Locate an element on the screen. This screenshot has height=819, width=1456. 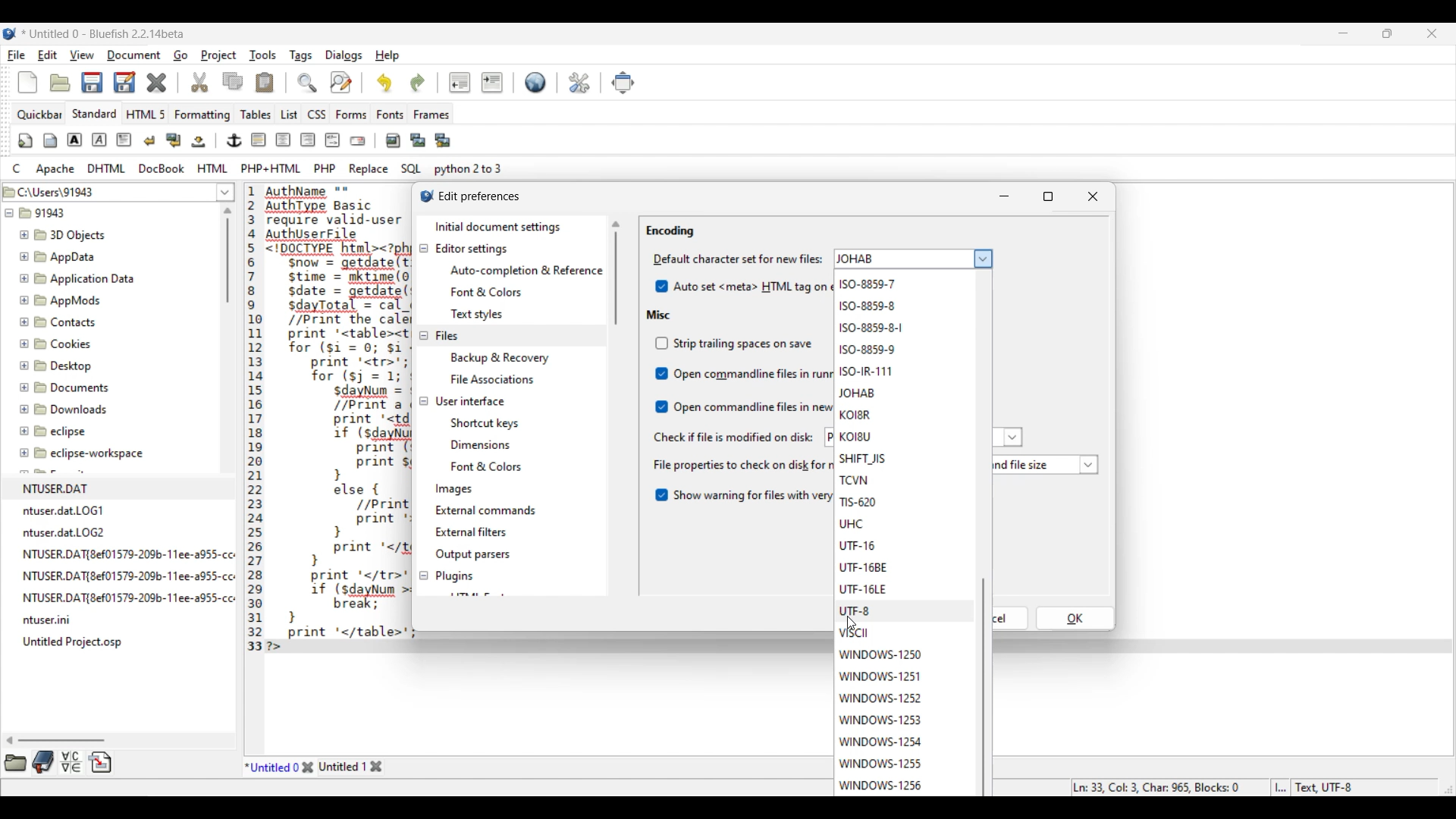
Files setting options is located at coordinates (527, 368).